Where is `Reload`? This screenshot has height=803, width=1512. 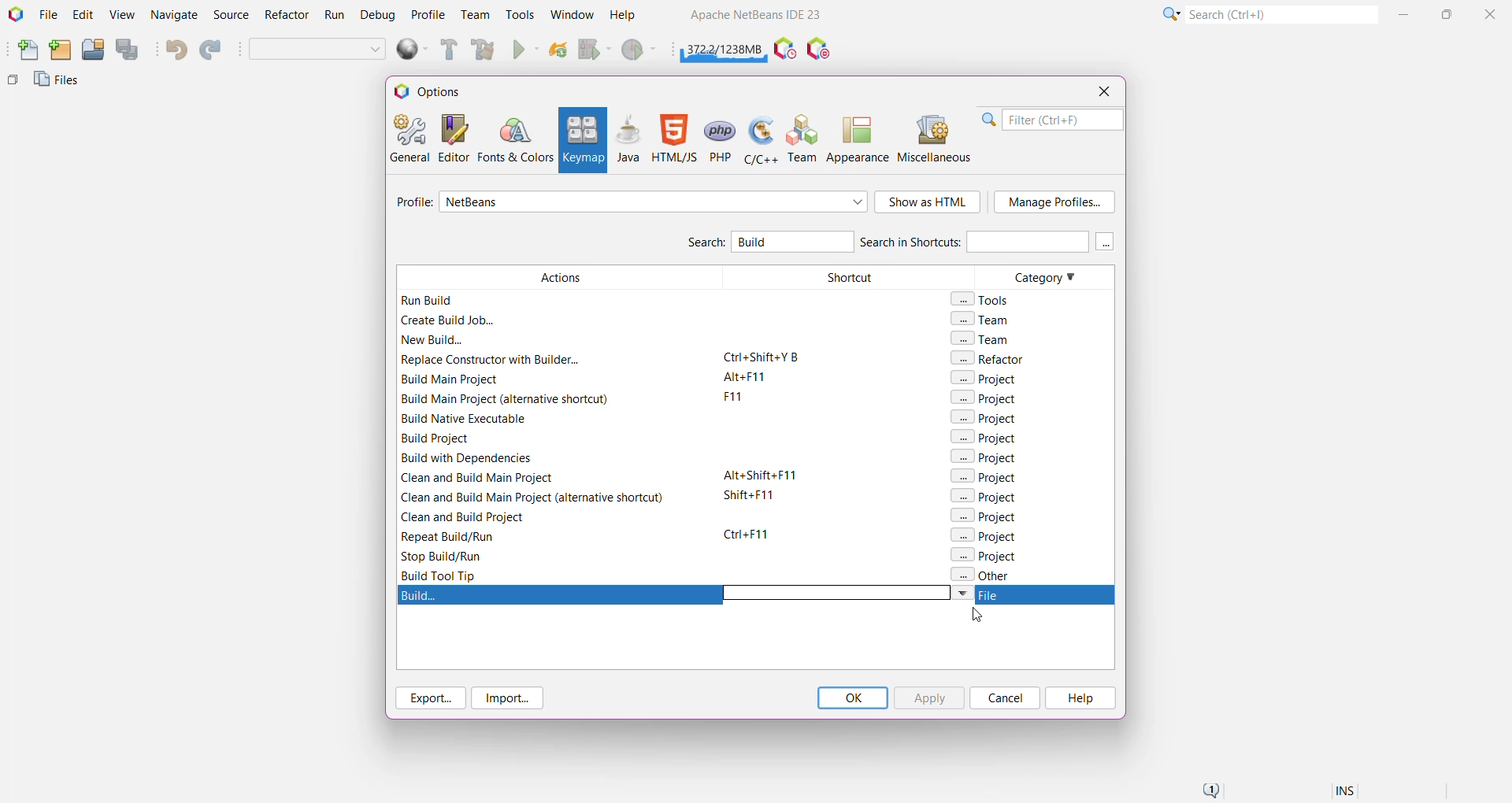
Reload is located at coordinates (558, 51).